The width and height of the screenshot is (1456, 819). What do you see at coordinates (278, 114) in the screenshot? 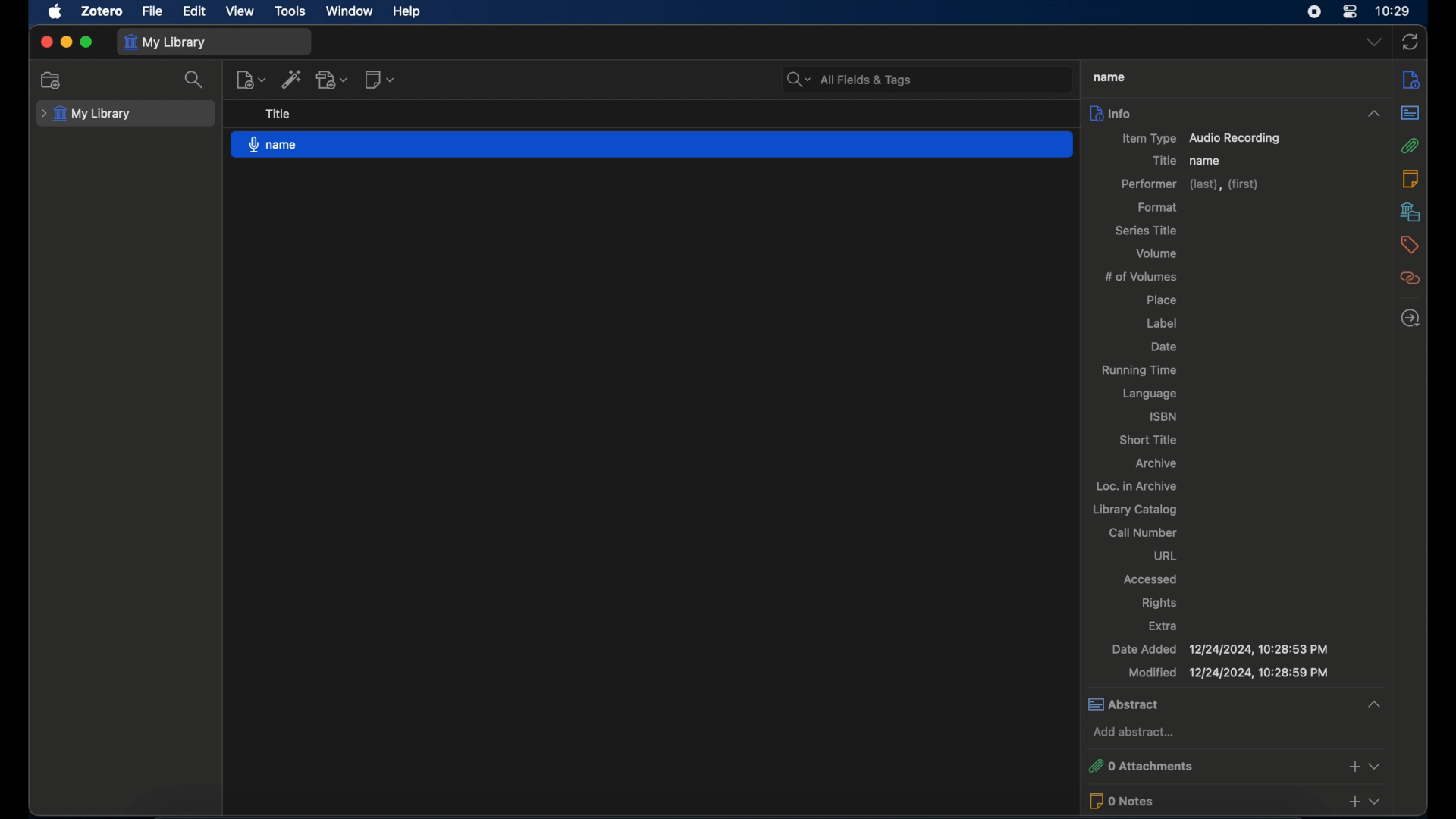
I see `tile` at bounding box center [278, 114].